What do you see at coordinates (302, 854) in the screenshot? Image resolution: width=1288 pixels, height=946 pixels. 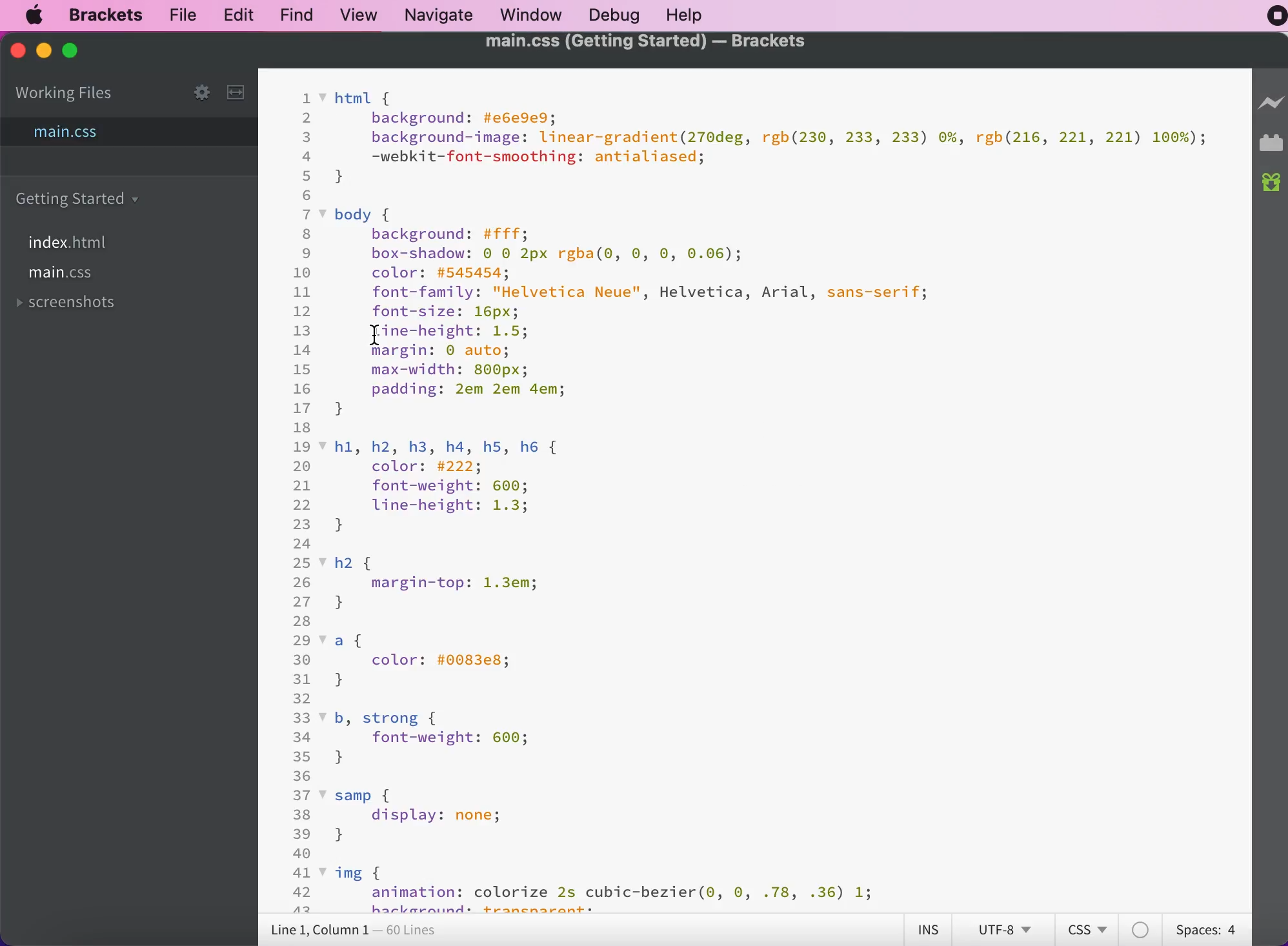 I see `40` at bounding box center [302, 854].